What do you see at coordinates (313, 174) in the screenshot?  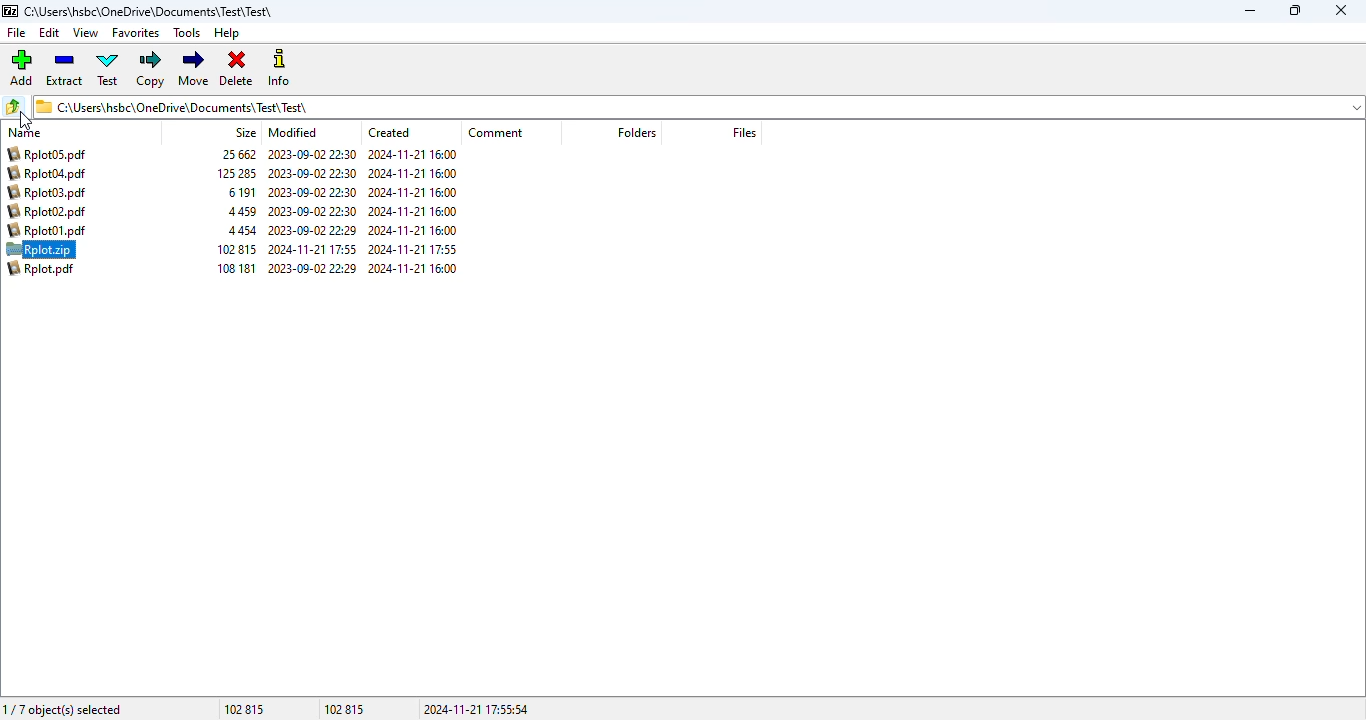 I see `2023-09-02 22:30` at bounding box center [313, 174].